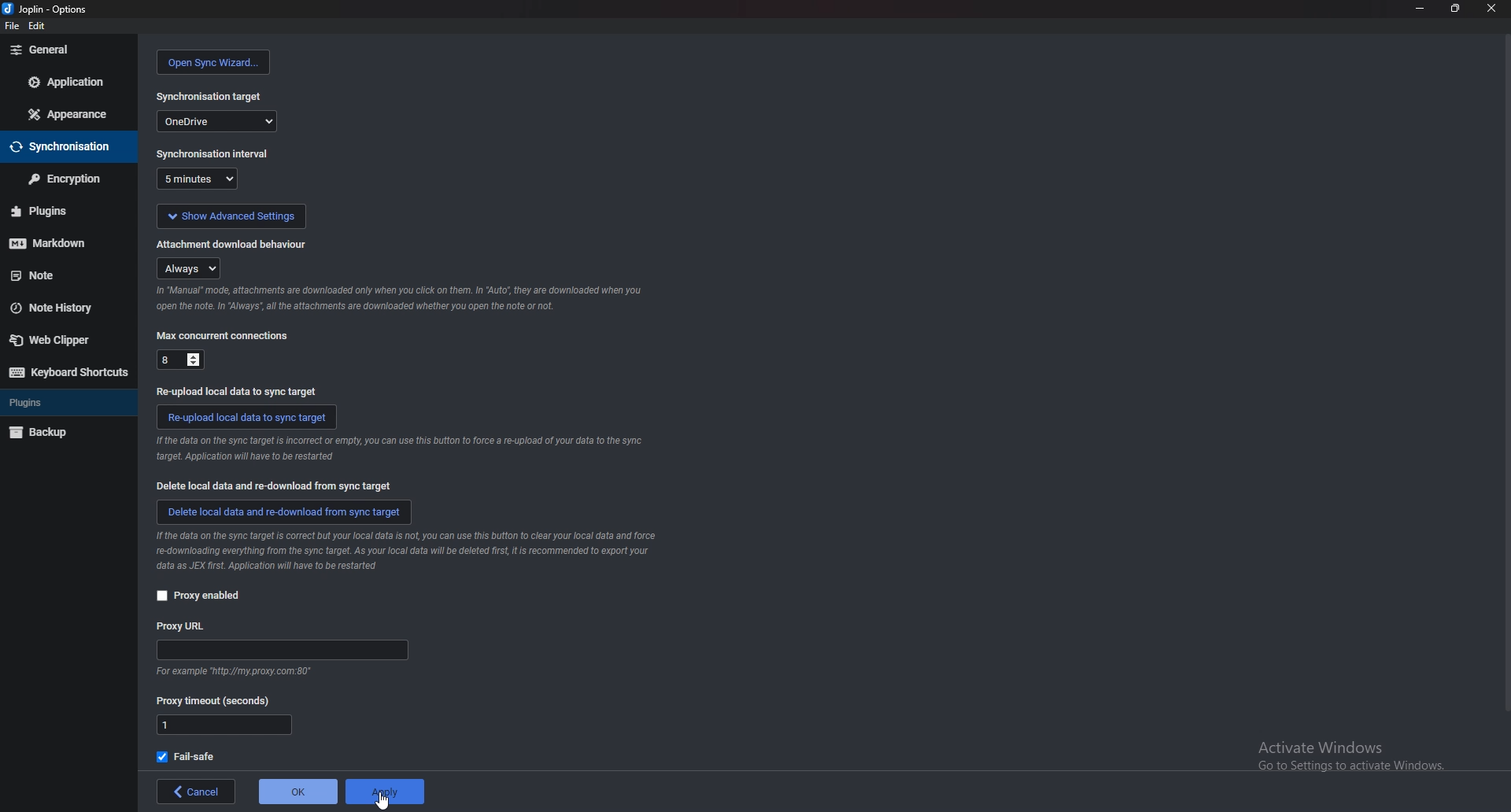 The height and width of the screenshot is (812, 1511). Describe the element at coordinates (239, 245) in the screenshot. I see `attachment download behaviour` at that location.